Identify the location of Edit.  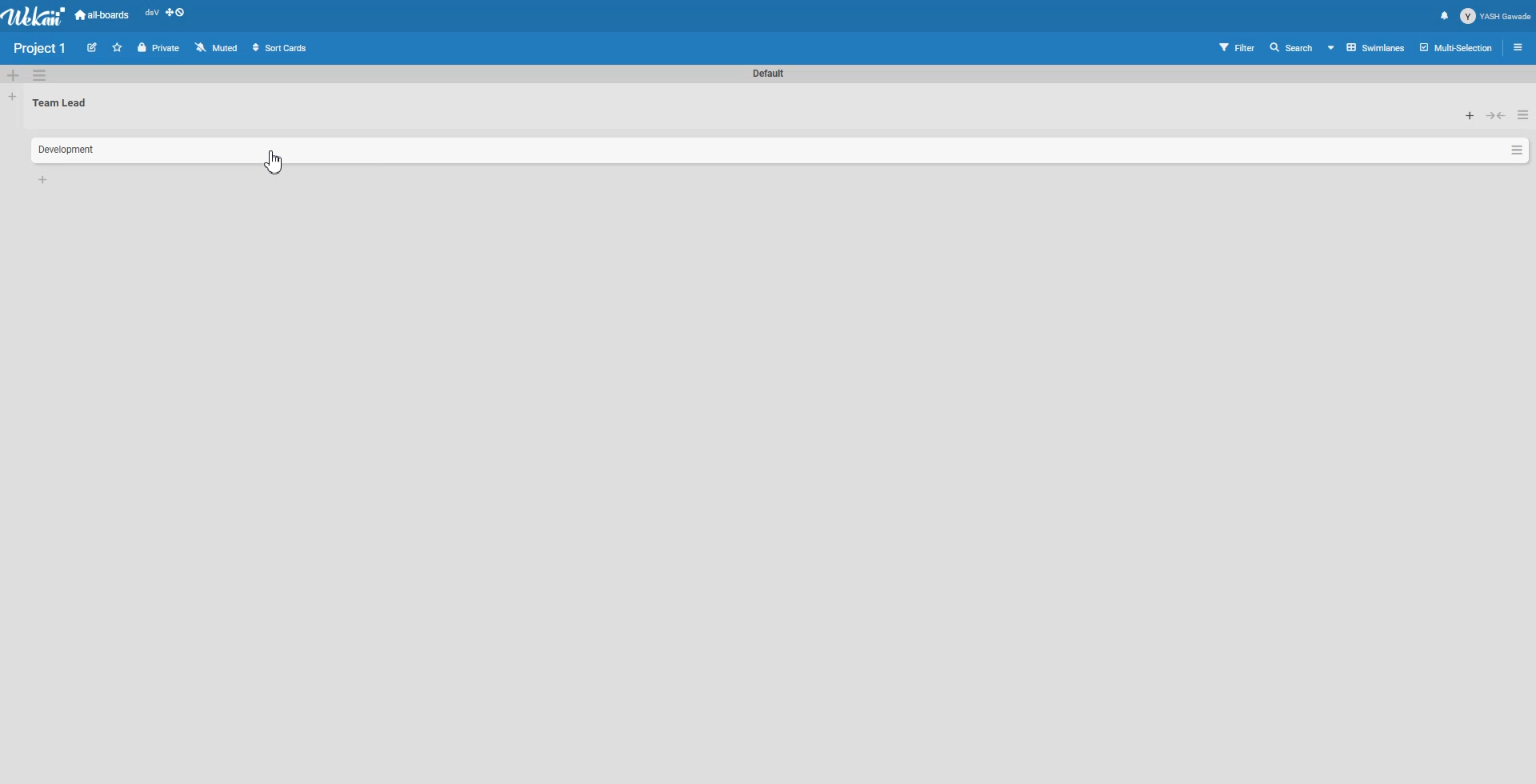
(92, 46).